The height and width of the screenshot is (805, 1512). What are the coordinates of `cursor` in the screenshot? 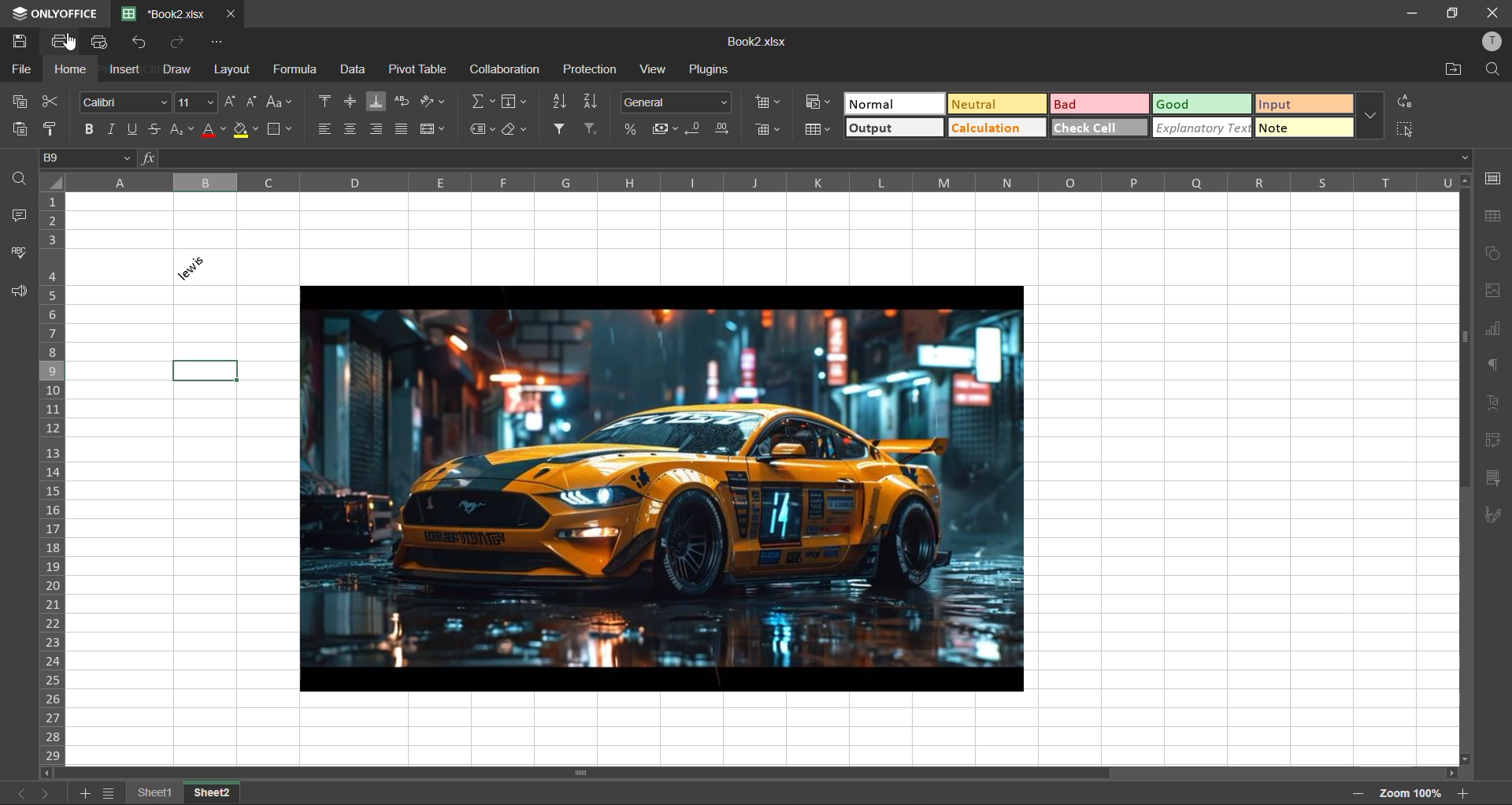 It's located at (69, 43).